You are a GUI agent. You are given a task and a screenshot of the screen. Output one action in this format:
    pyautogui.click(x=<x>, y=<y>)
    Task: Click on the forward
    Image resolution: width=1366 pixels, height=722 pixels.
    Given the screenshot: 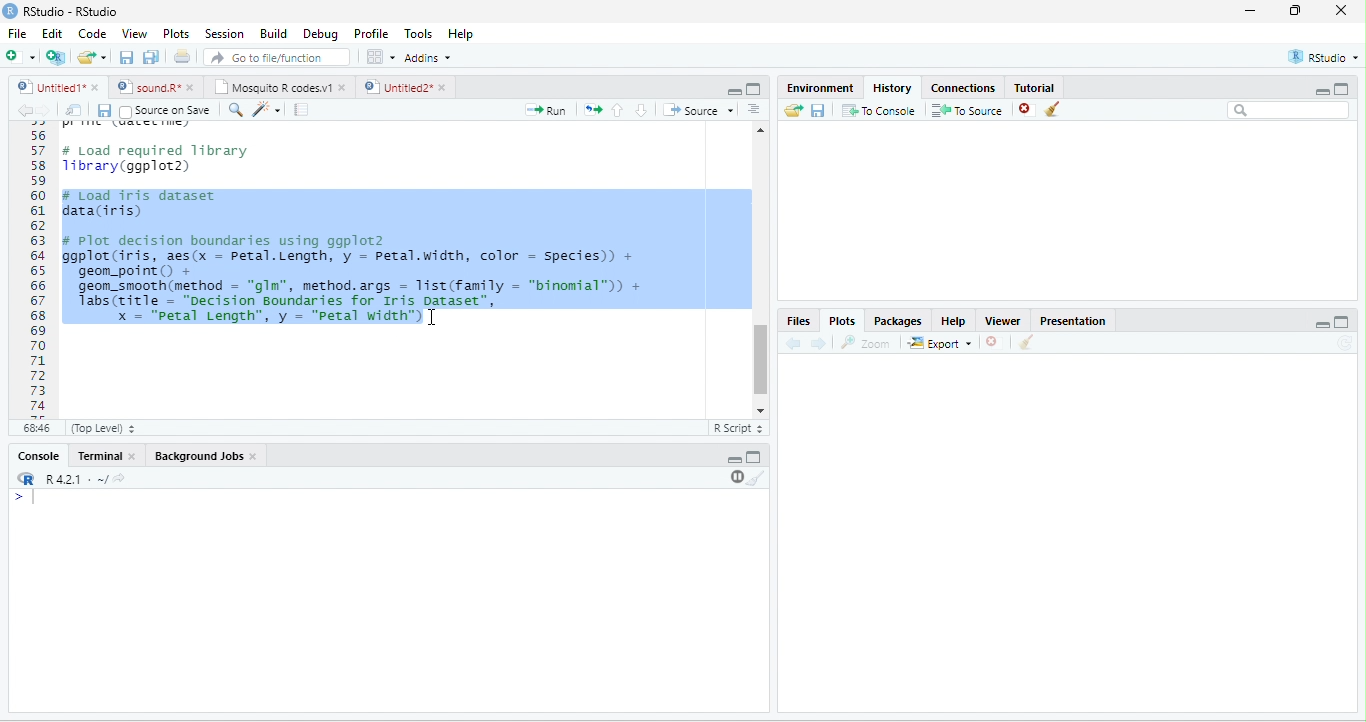 What is the action you would take?
    pyautogui.click(x=818, y=344)
    